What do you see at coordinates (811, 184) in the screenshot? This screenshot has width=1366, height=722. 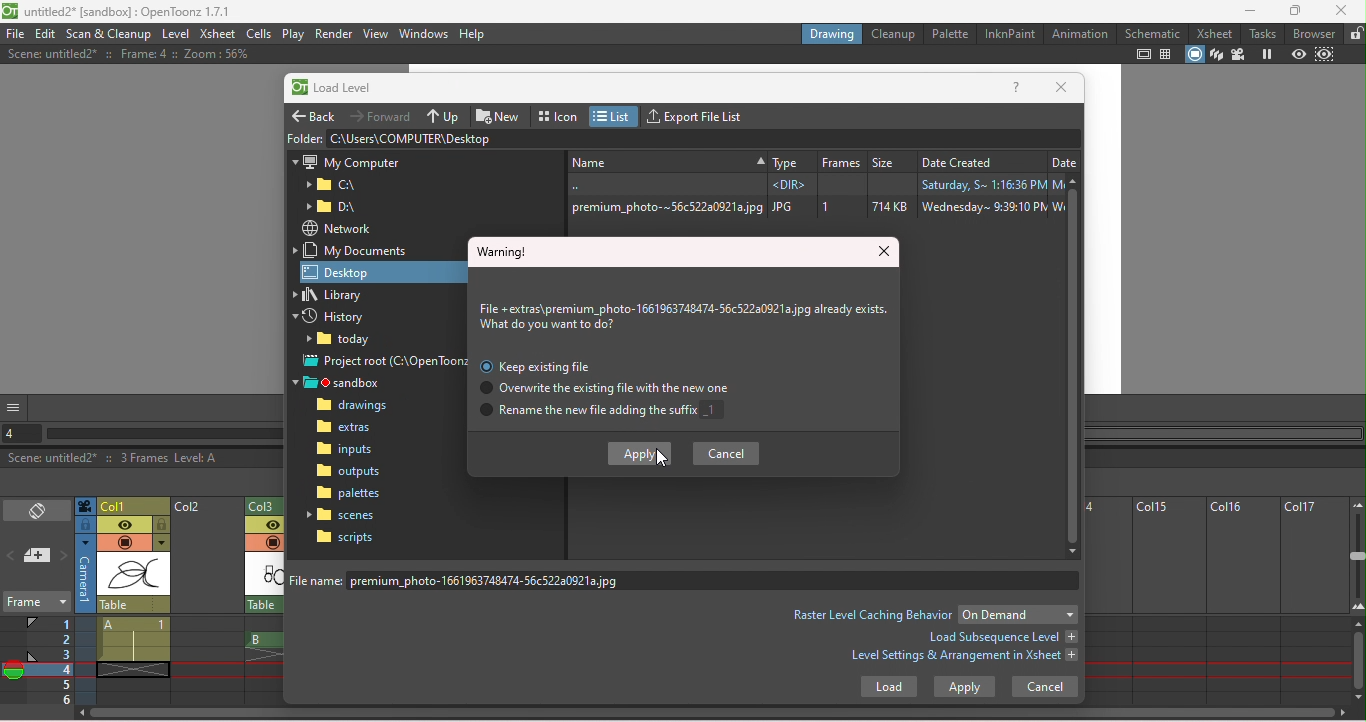 I see `<DIR> Saturday, S~ 1:16:36 PM` at bounding box center [811, 184].